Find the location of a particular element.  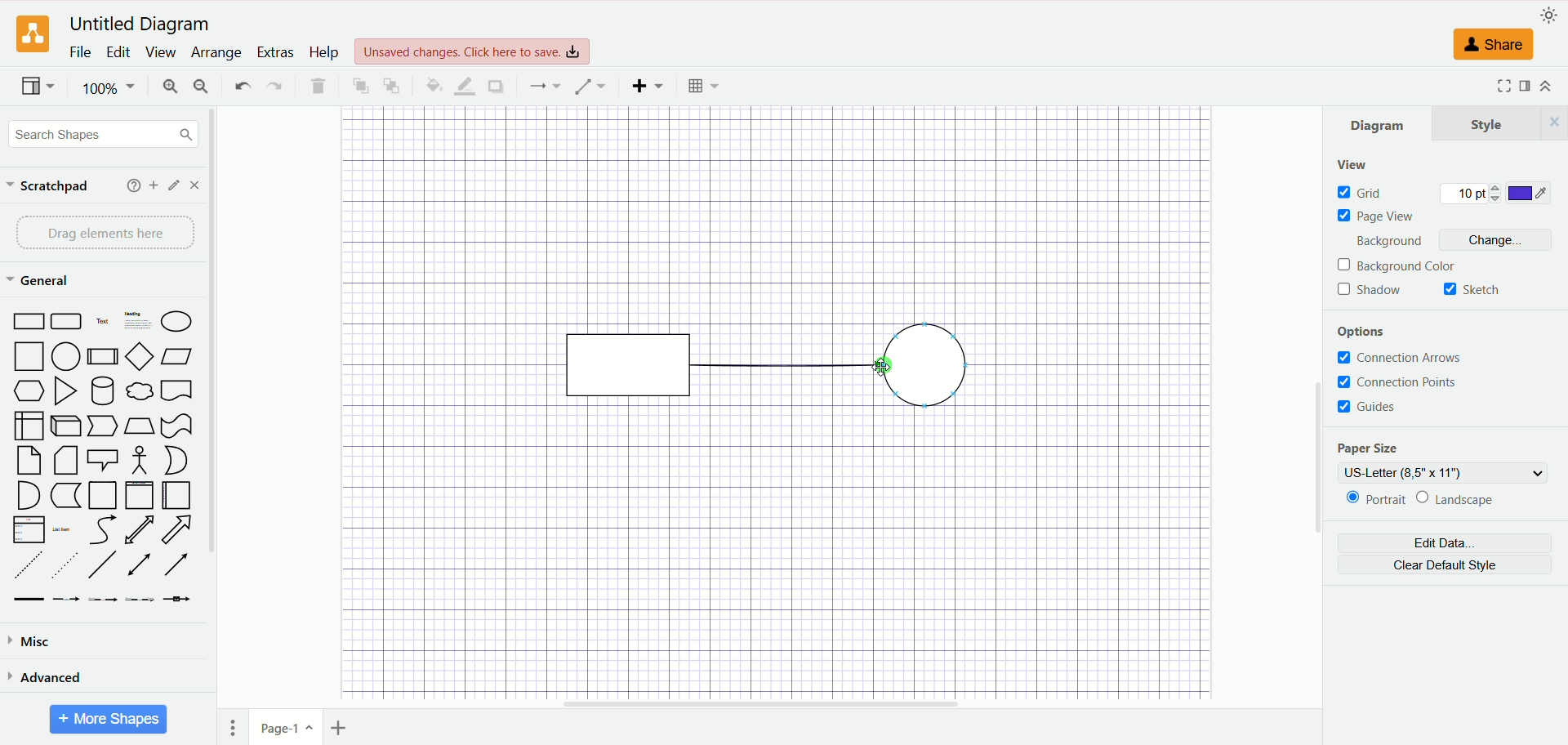

Semicircle is located at coordinates (29, 495).